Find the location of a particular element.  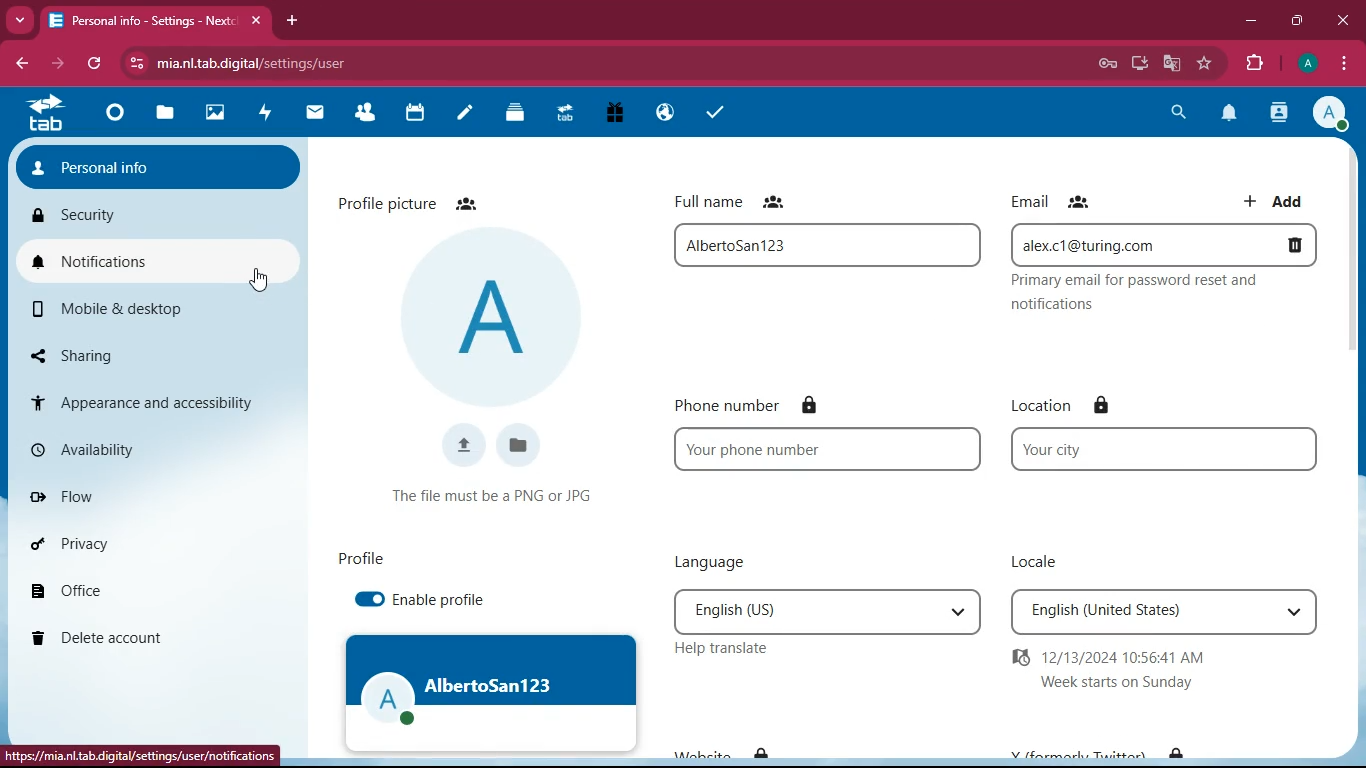

Your city is located at coordinates (1165, 449).